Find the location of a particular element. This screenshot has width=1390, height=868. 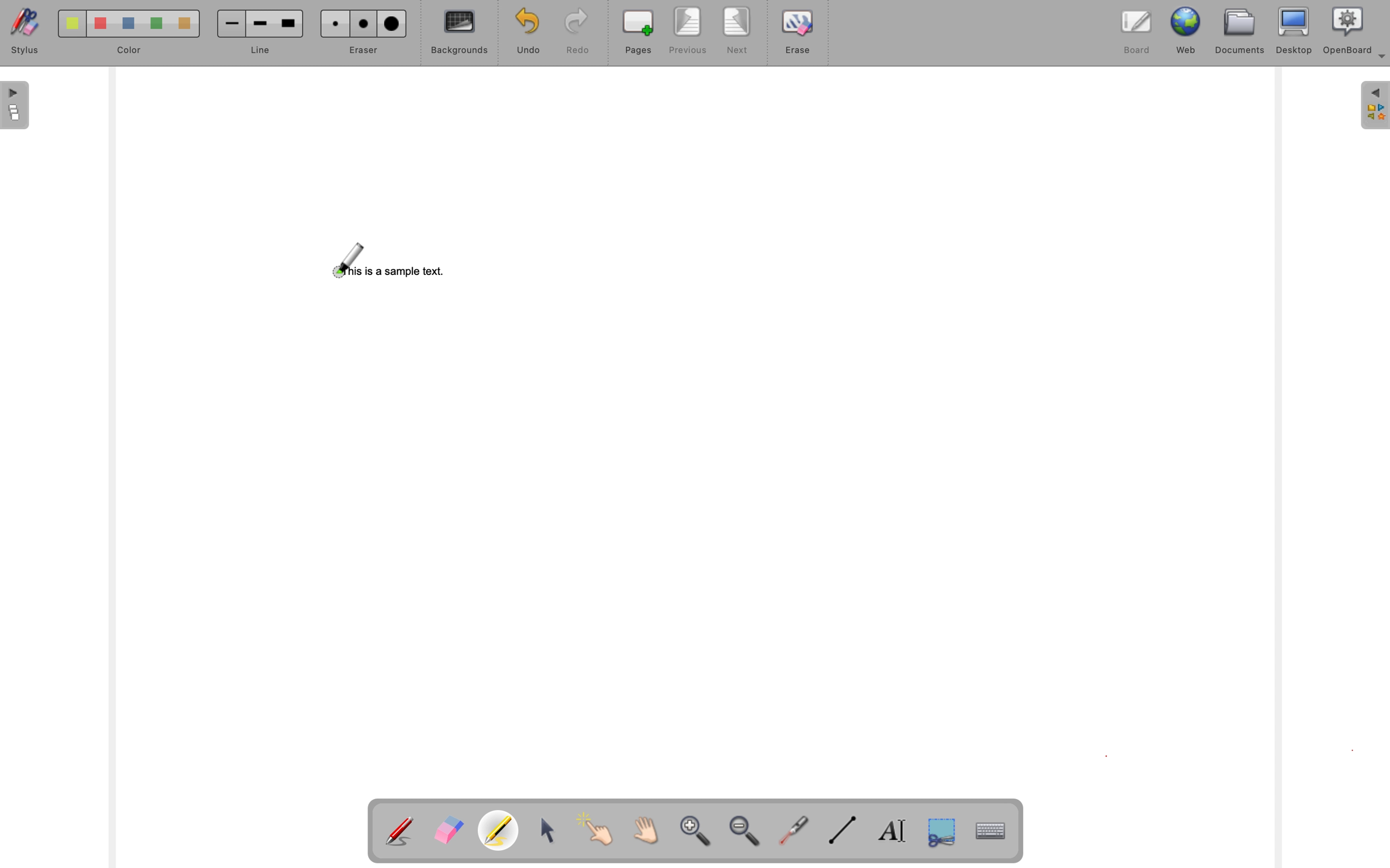

visual laser pointer is located at coordinates (796, 832).